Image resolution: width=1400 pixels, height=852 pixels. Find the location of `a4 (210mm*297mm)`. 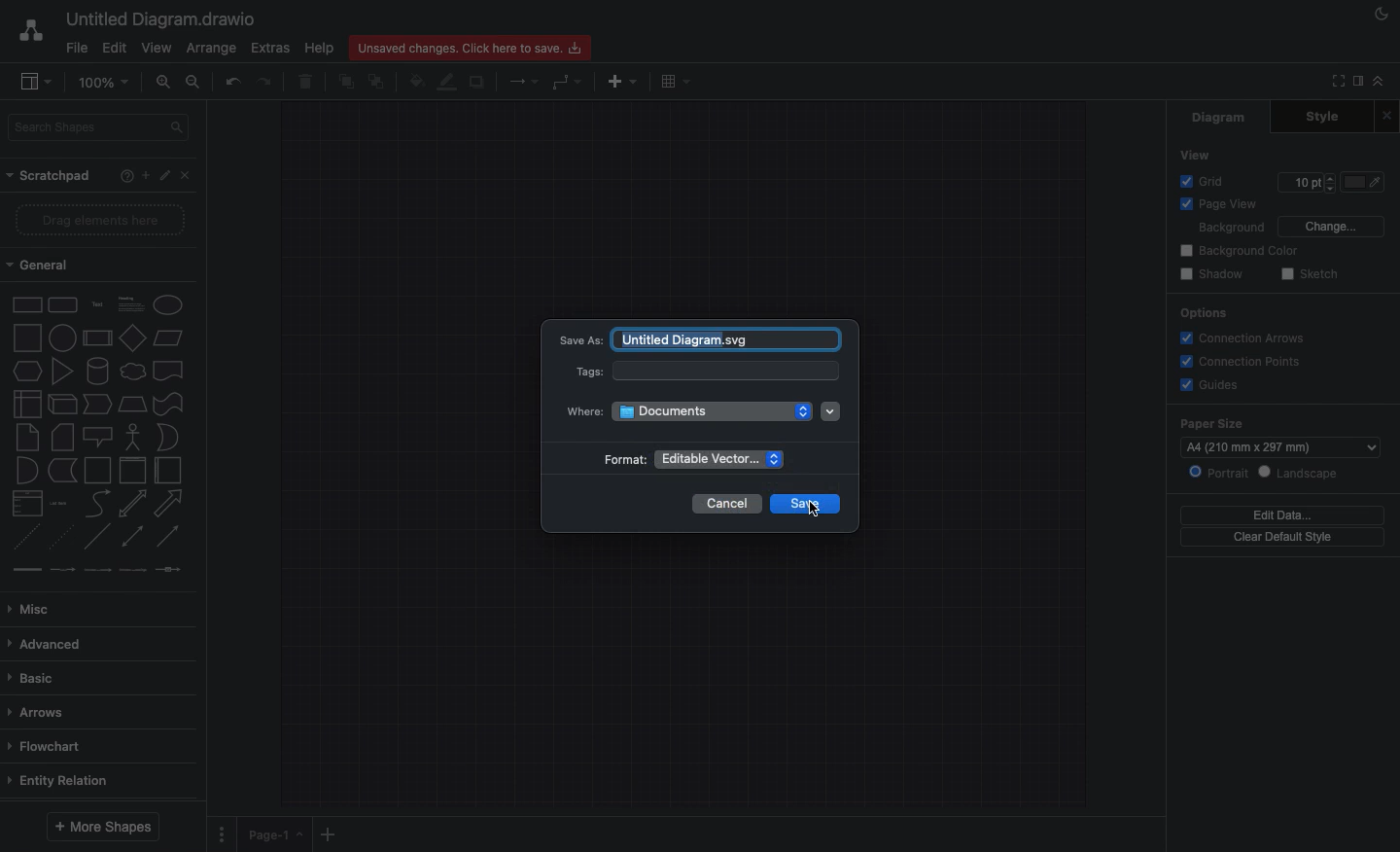

a4 (210mm*297mm) is located at coordinates (1253, 445).